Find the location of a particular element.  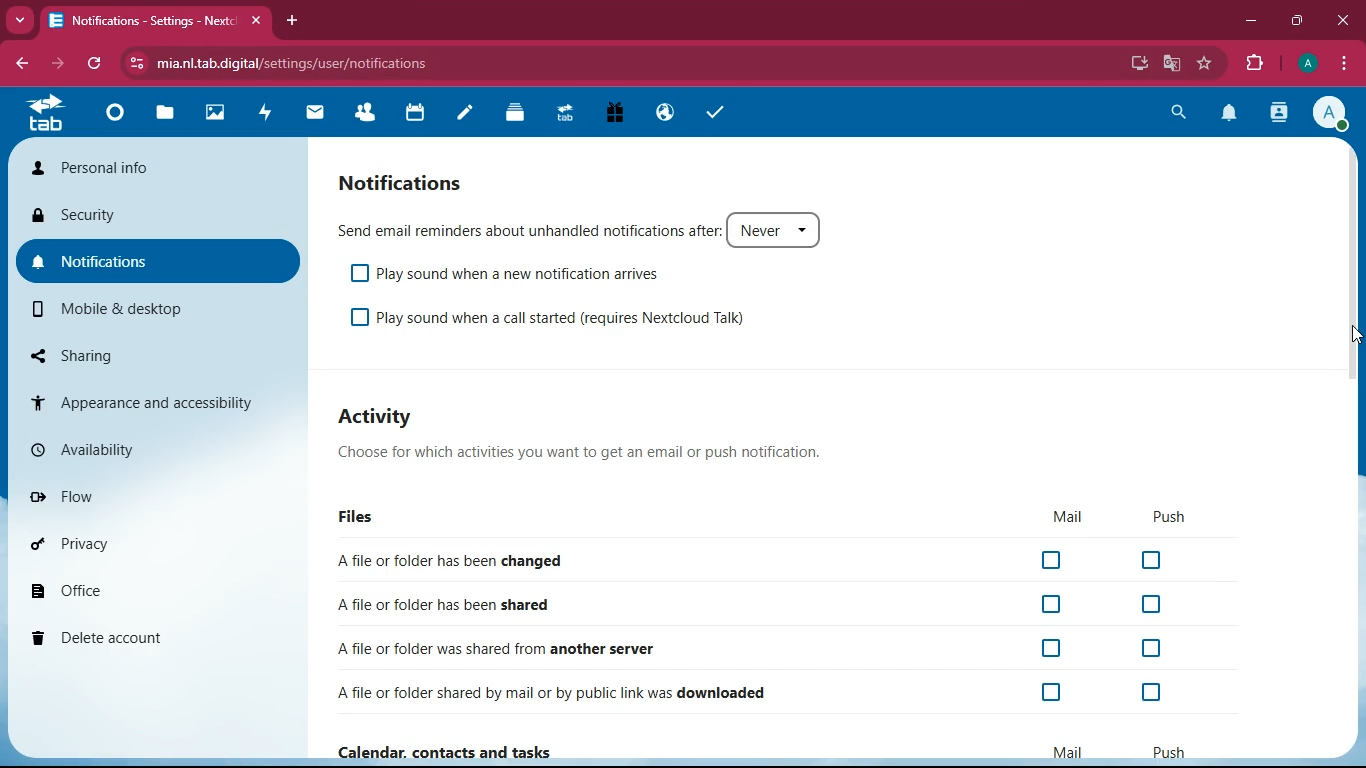

availability is located at coordinates (156, 447).